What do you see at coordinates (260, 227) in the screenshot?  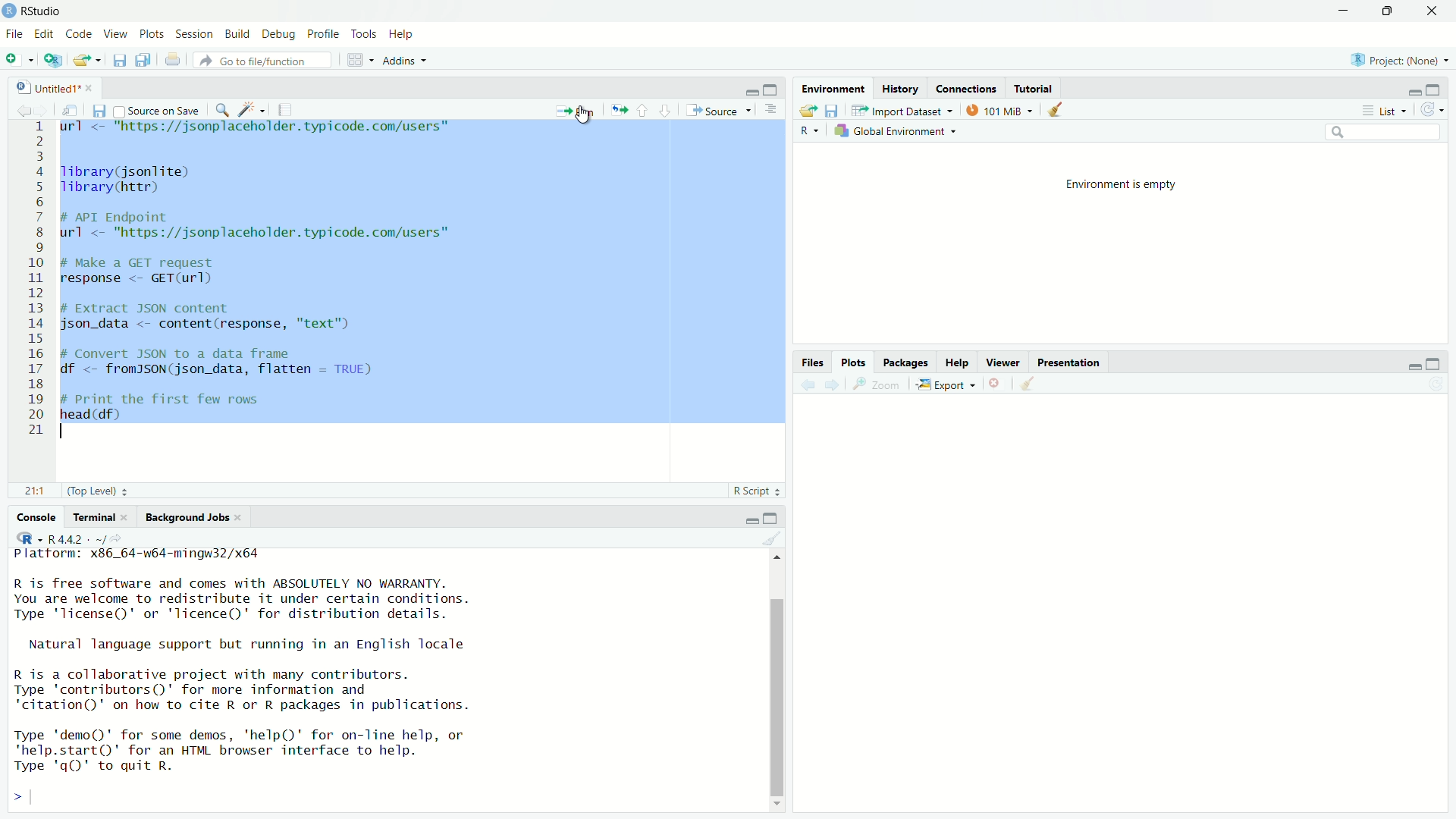 I see `# API Endpoint
url <- "https://jsonplaceholder. typicode.com/users"` at bounding box center [260, 227].